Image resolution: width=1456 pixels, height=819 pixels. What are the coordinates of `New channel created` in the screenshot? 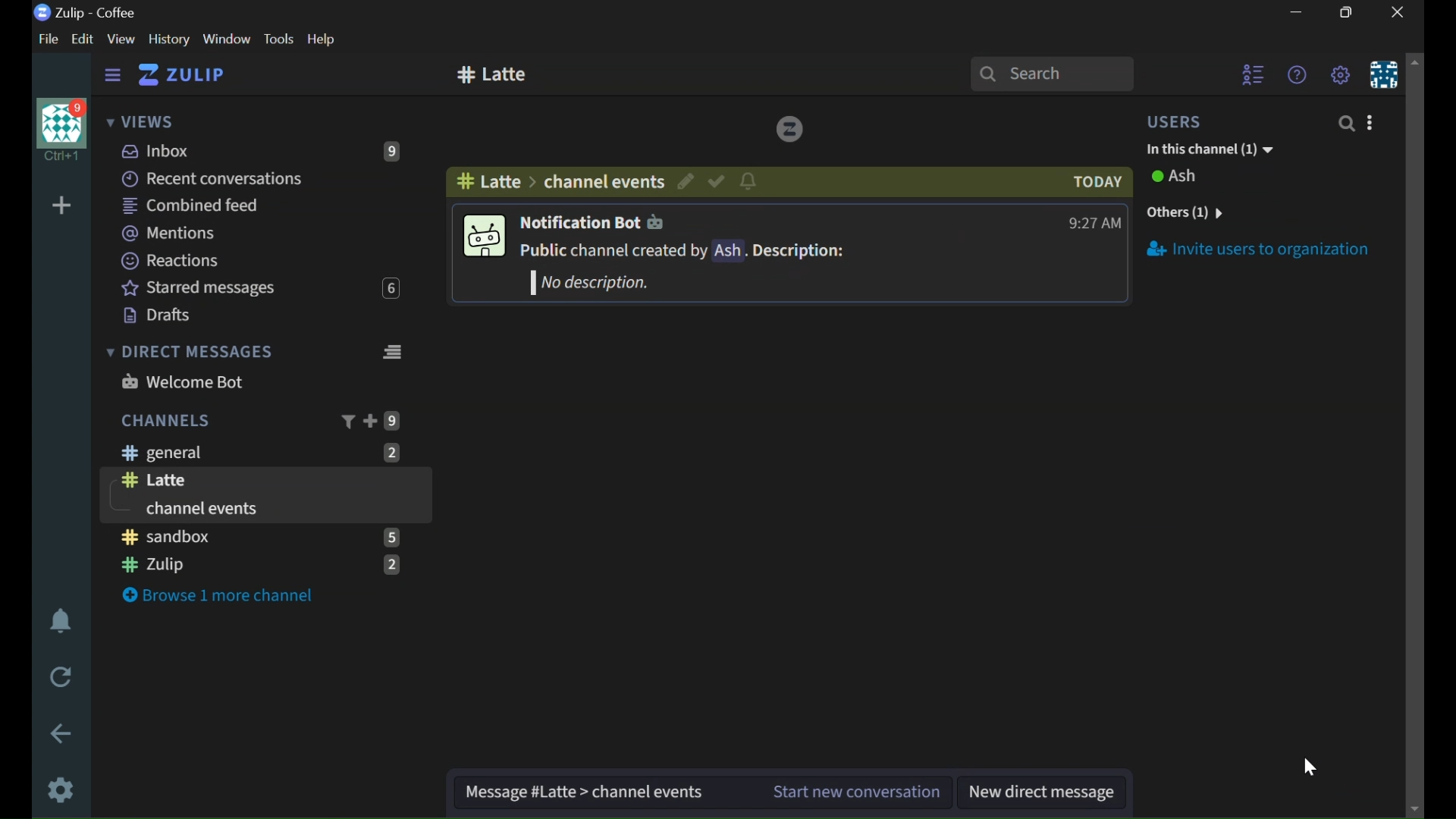 It's located at (162, 482).